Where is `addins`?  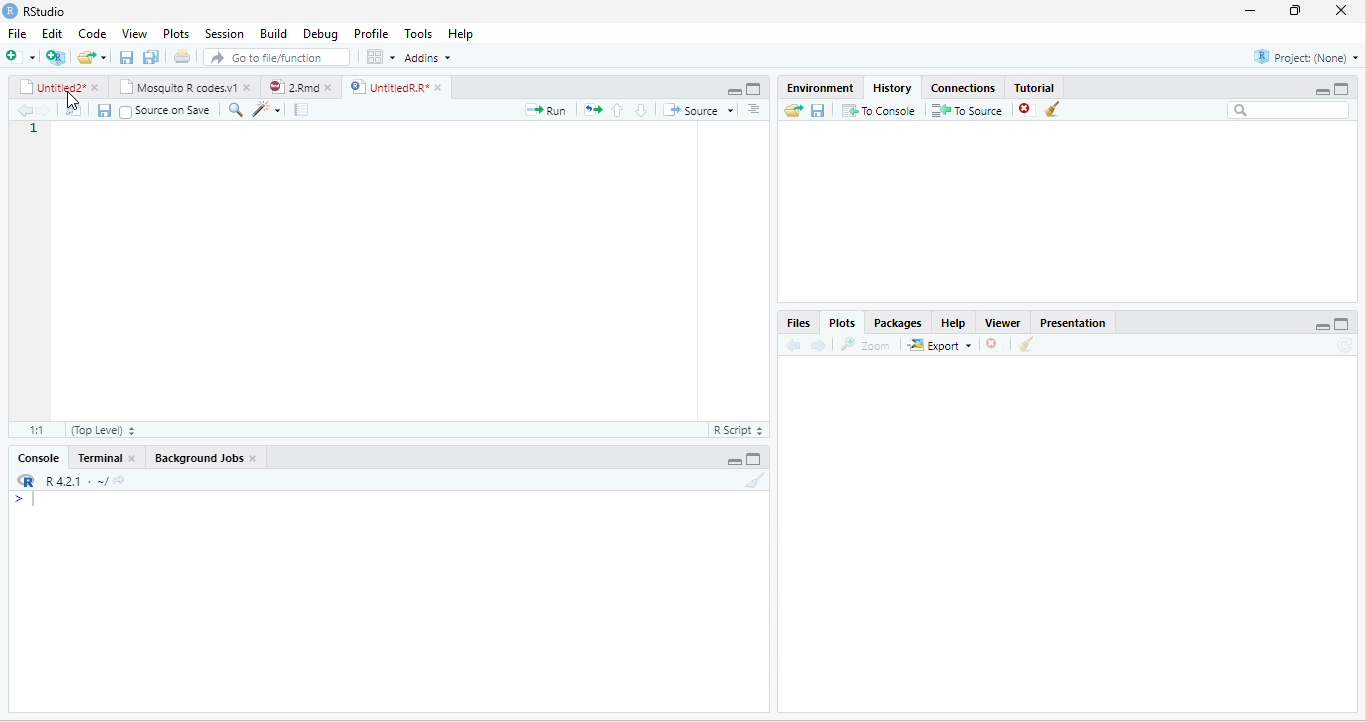
addins is located at coordinates (432, 57).